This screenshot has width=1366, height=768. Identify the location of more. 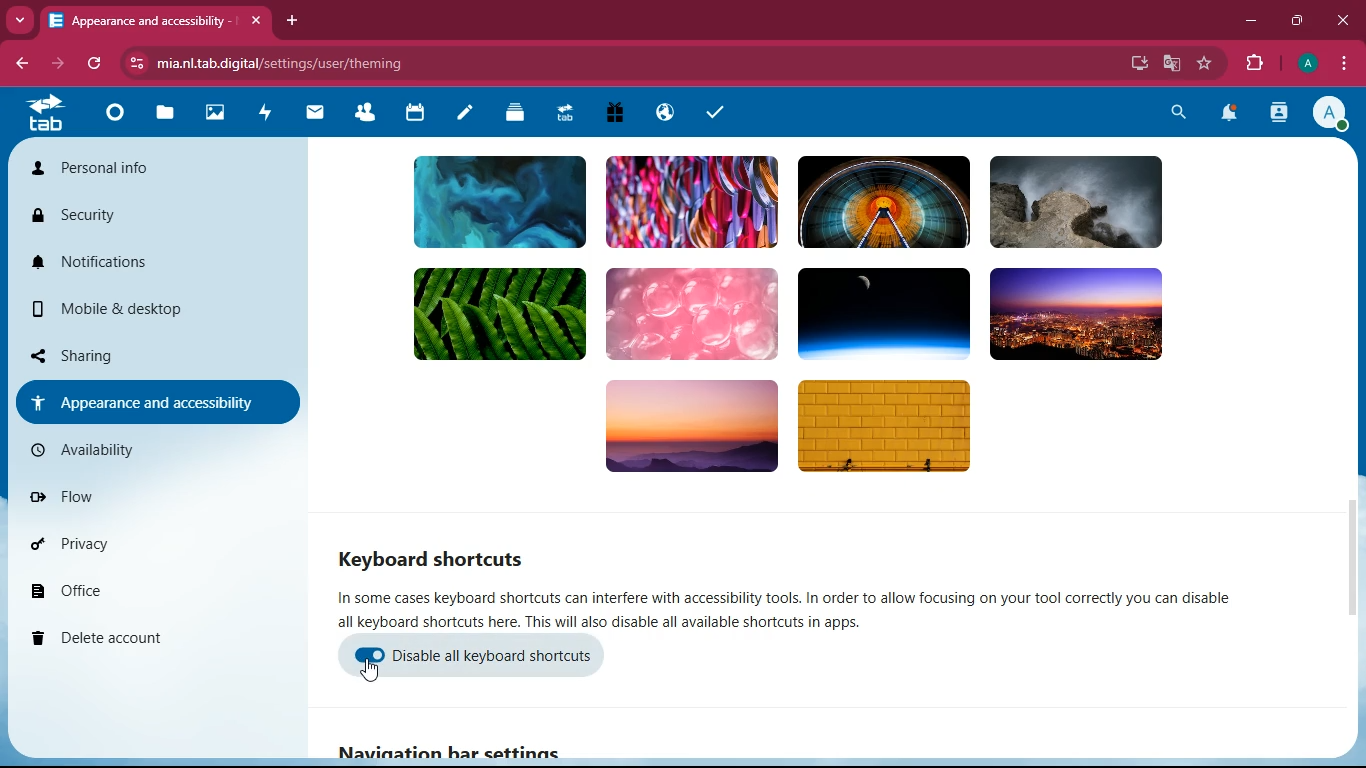
(19, 19).